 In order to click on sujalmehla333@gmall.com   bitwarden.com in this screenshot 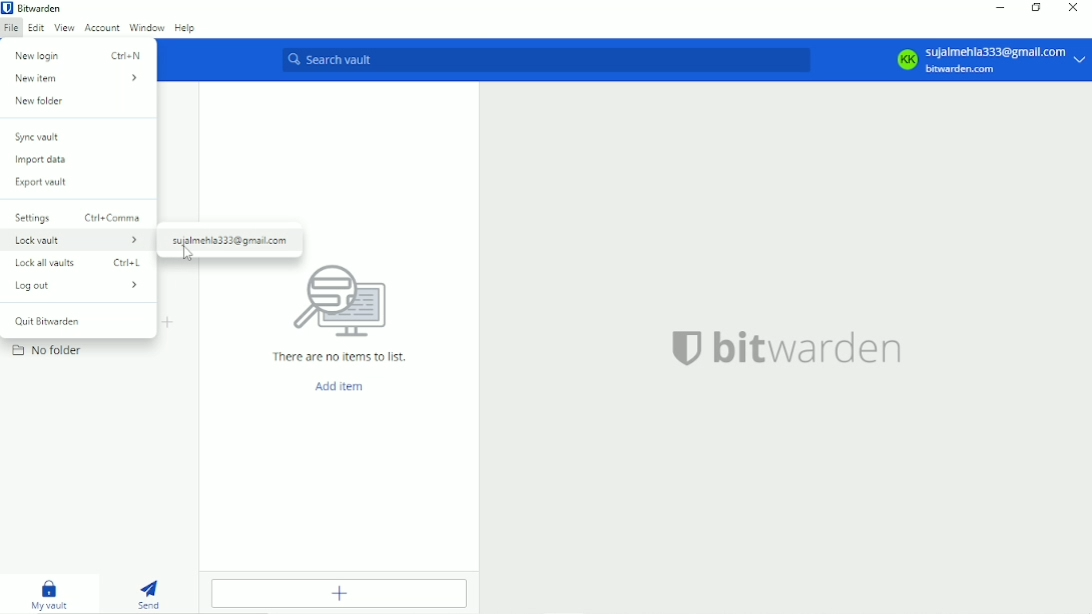, I will do `click(993, 60)`.